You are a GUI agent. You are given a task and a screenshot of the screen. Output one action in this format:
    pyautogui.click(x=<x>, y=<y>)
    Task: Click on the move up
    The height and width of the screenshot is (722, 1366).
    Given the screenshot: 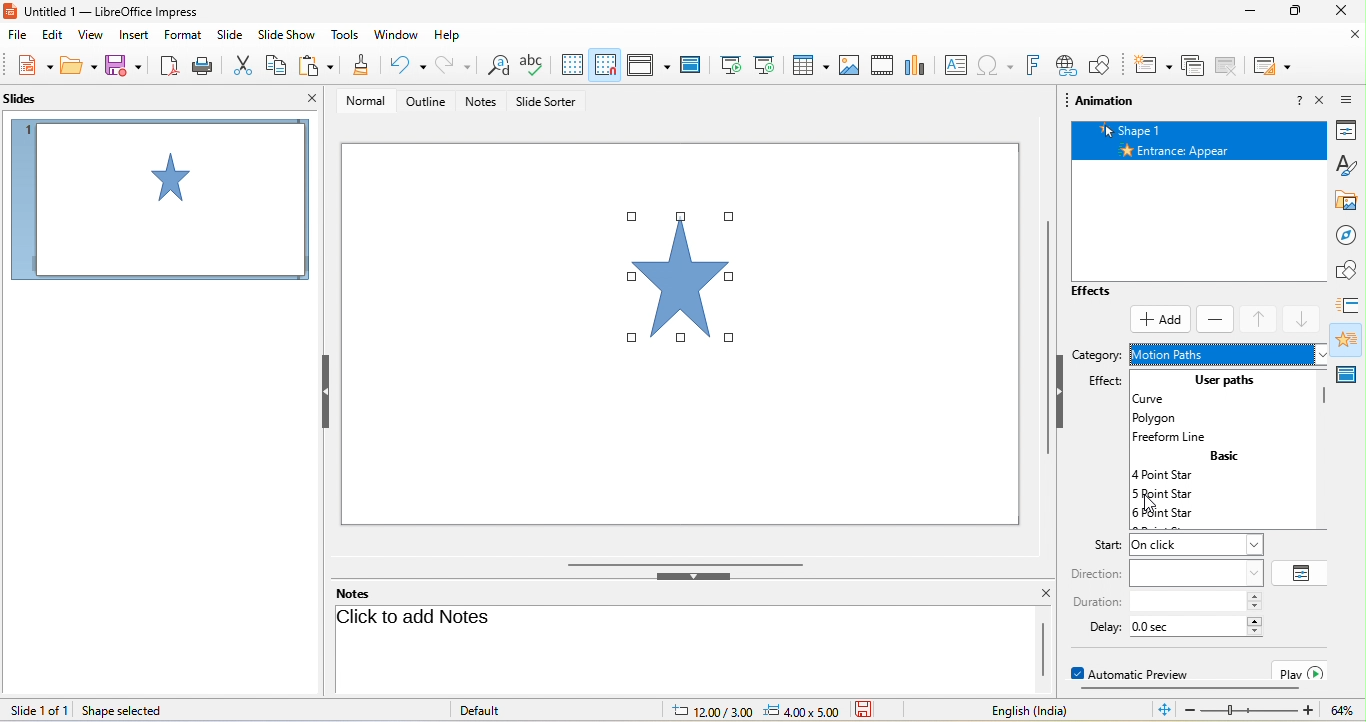 What is the action you would take?
    pyautogui.click(x=1260, y=320)
    